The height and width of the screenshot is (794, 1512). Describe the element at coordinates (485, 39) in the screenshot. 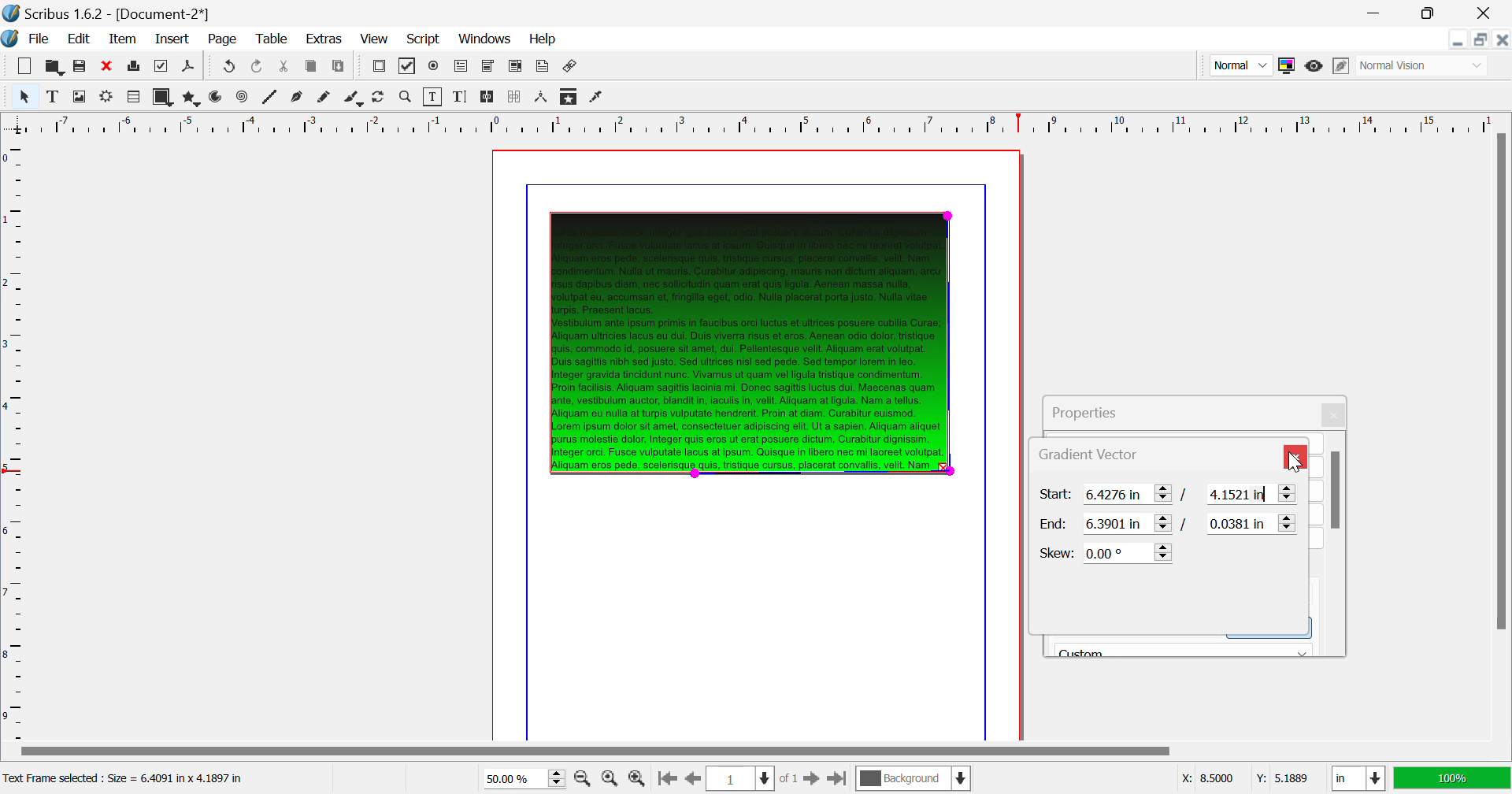

I see `Windows` at that location.